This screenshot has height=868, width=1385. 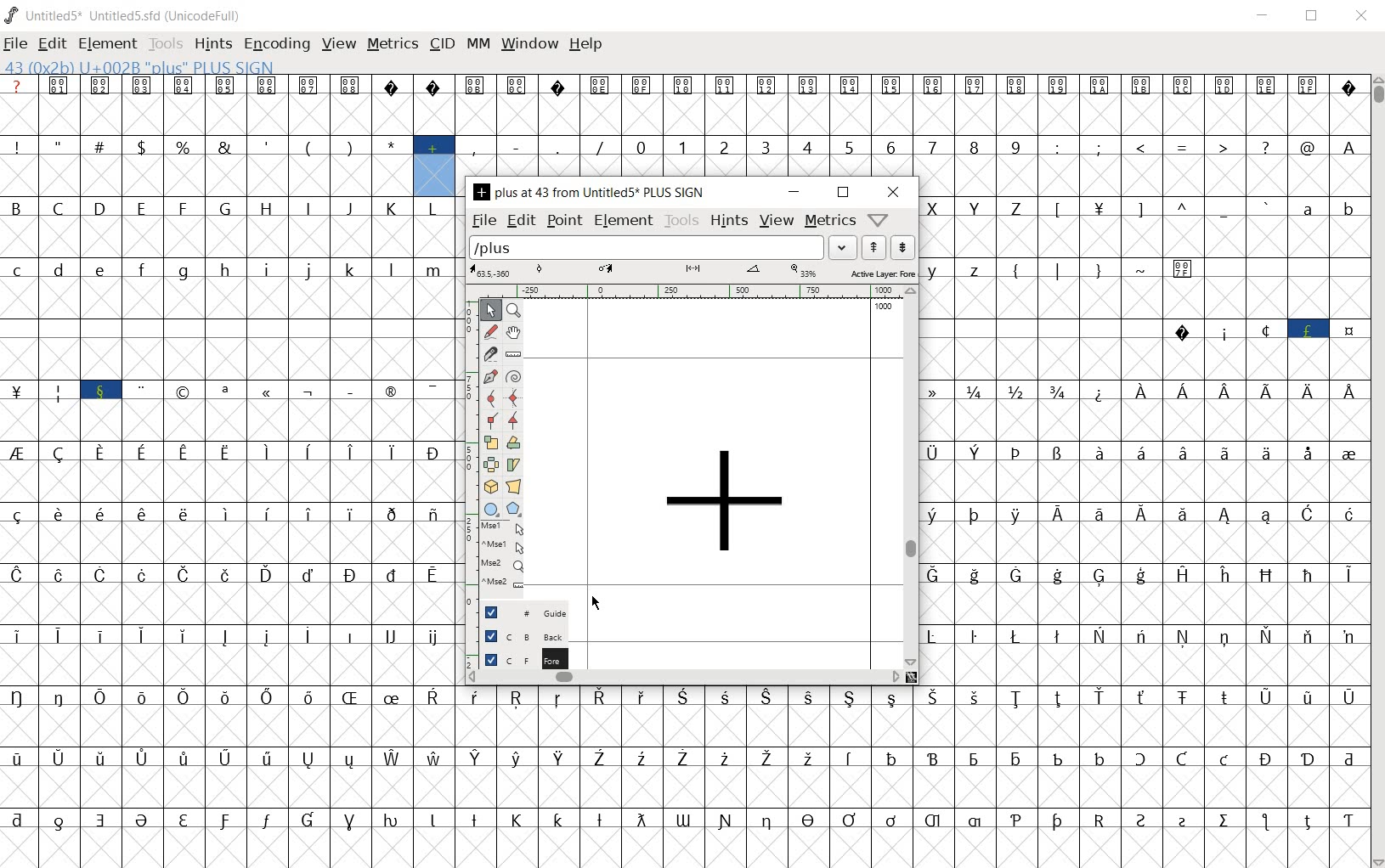 I want to click on close, so click(x=1360, y=17).